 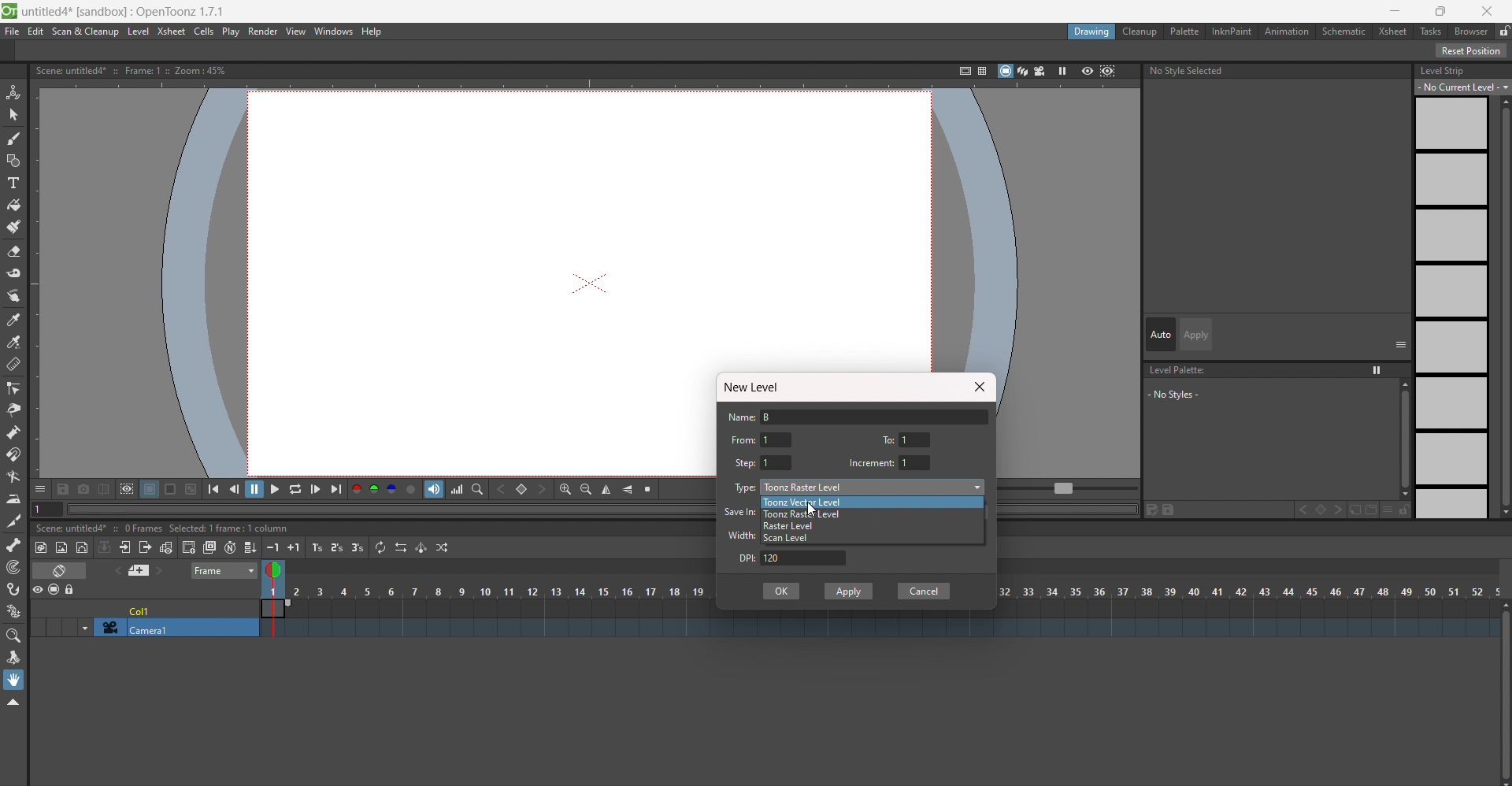 What do you see at coordinates (829, 502) in the screenshot?
I see `toonz vector level` at bounding box center [829, 502].